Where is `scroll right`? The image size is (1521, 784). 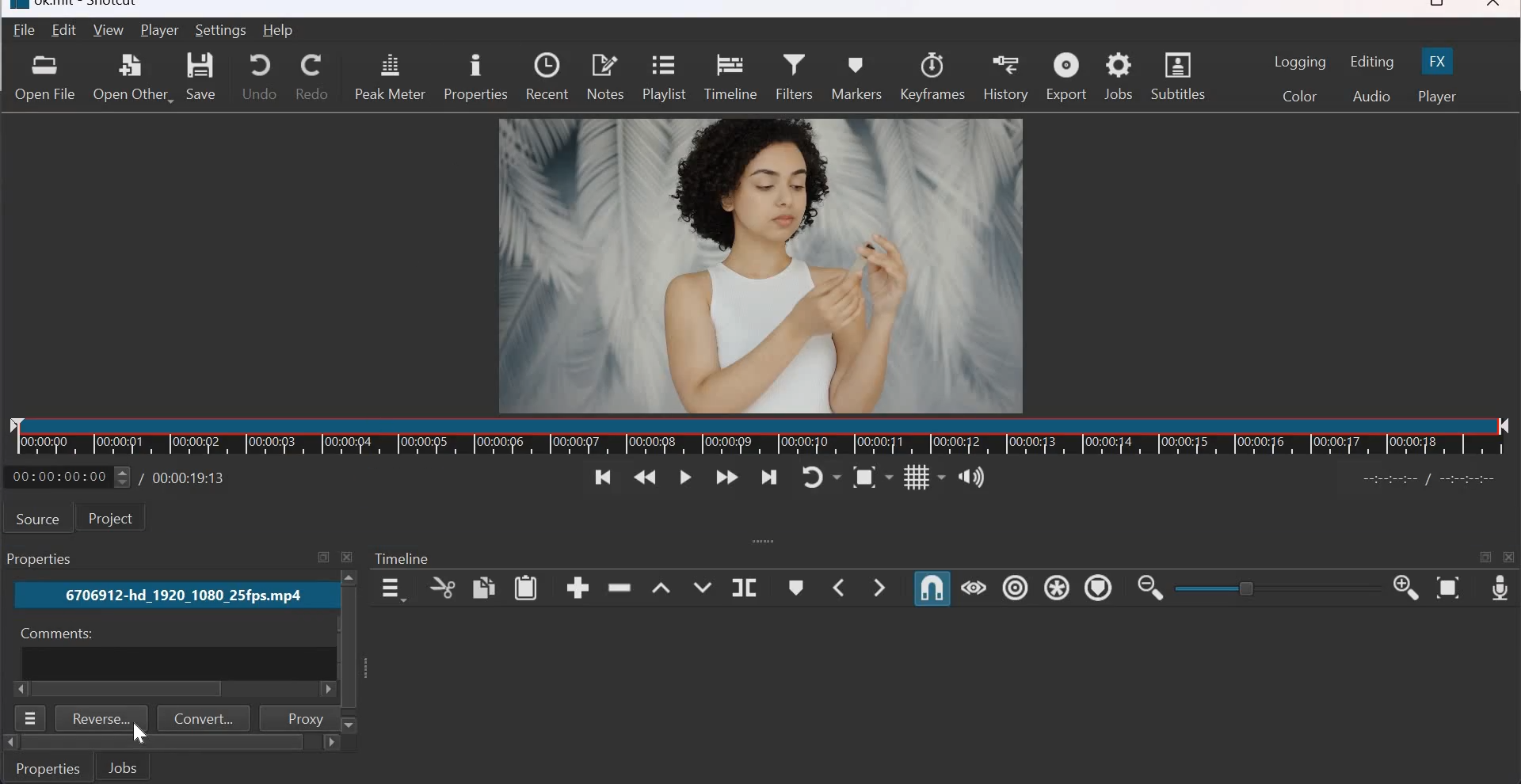
scroll right is located at coordinates (22, 689).